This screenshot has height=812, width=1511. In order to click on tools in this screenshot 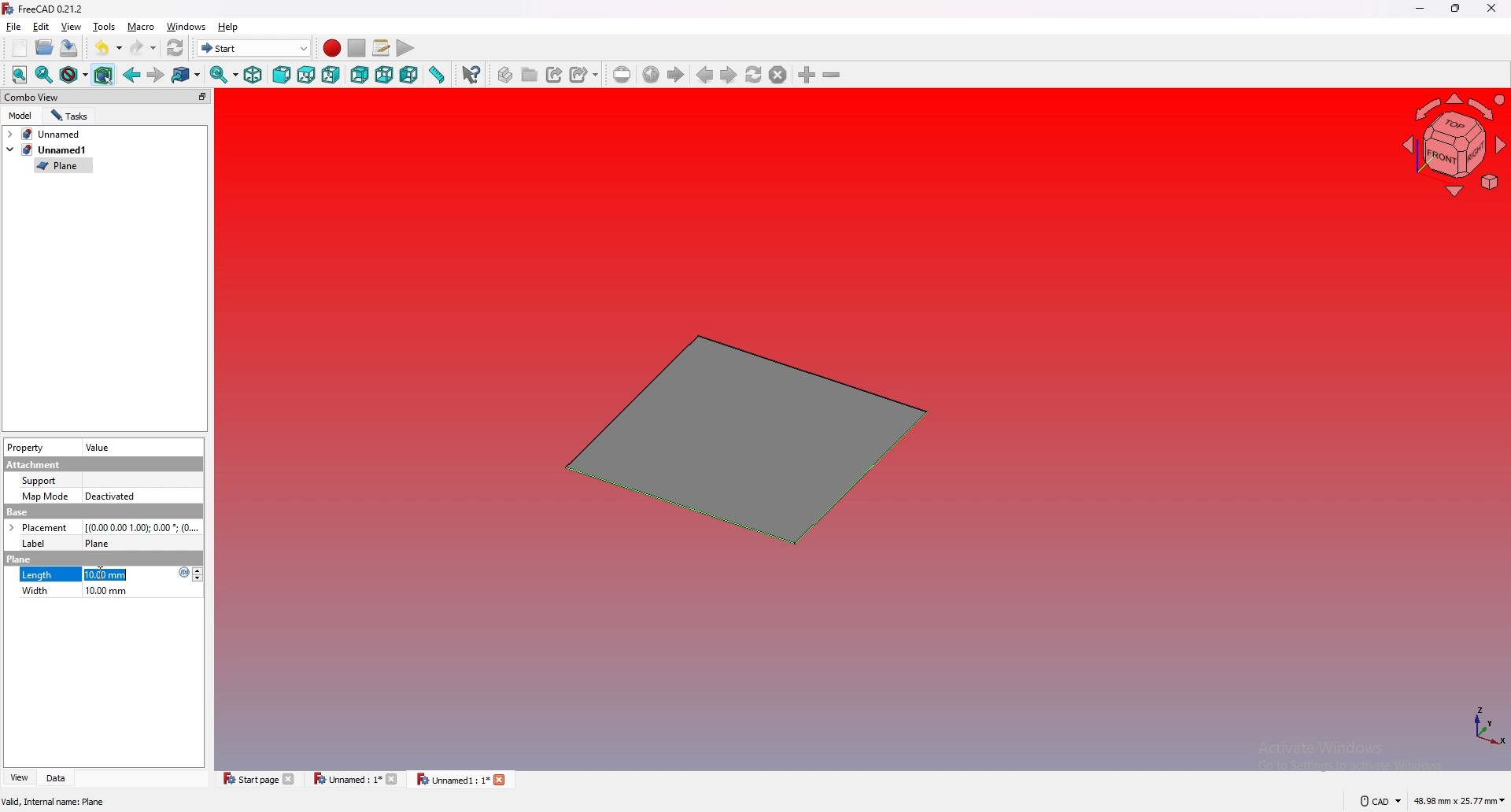, I will do `click(104, 26)`.